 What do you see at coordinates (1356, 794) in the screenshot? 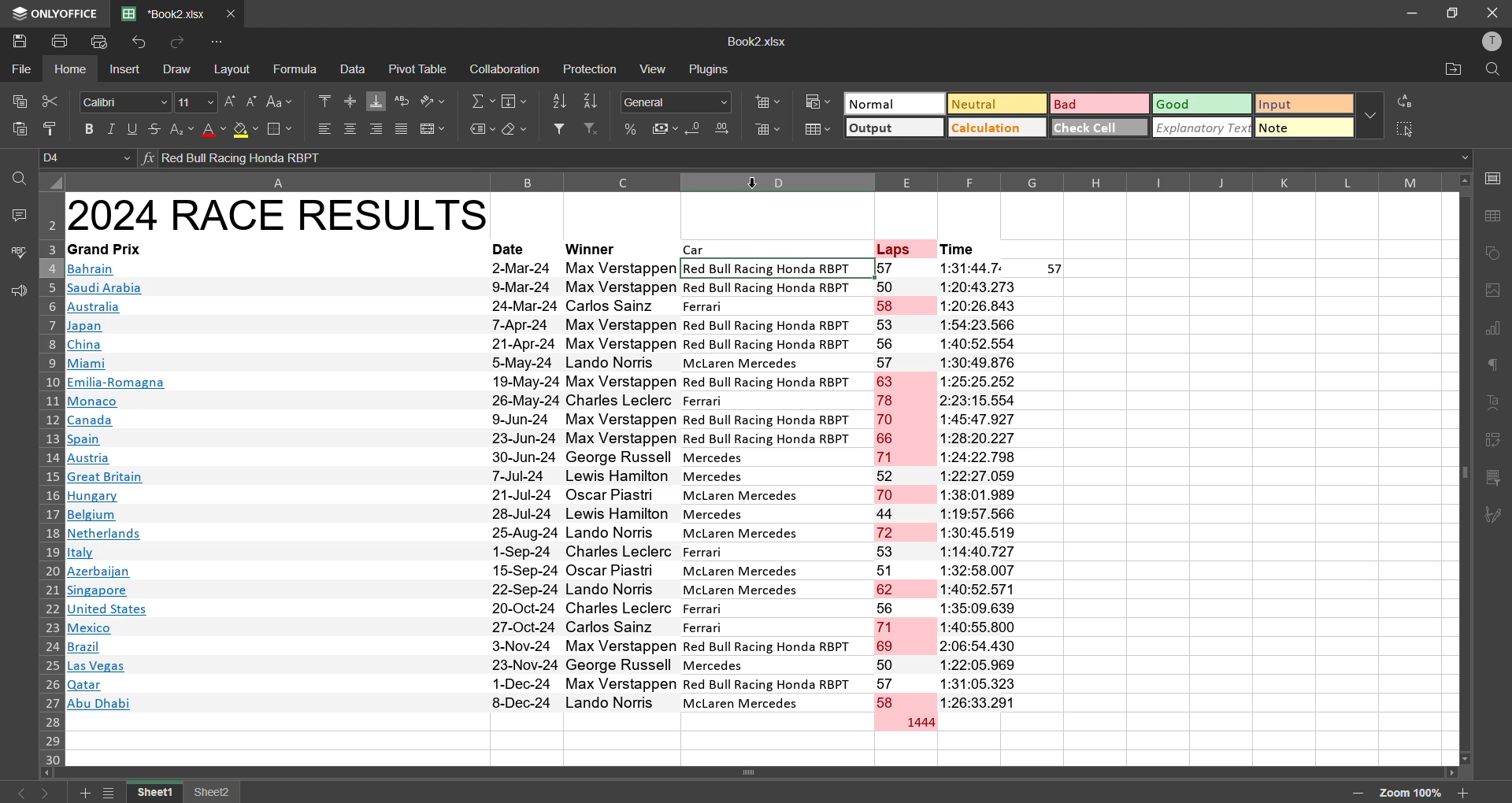
I see `zoom in` at bounding box center [1356, 794].